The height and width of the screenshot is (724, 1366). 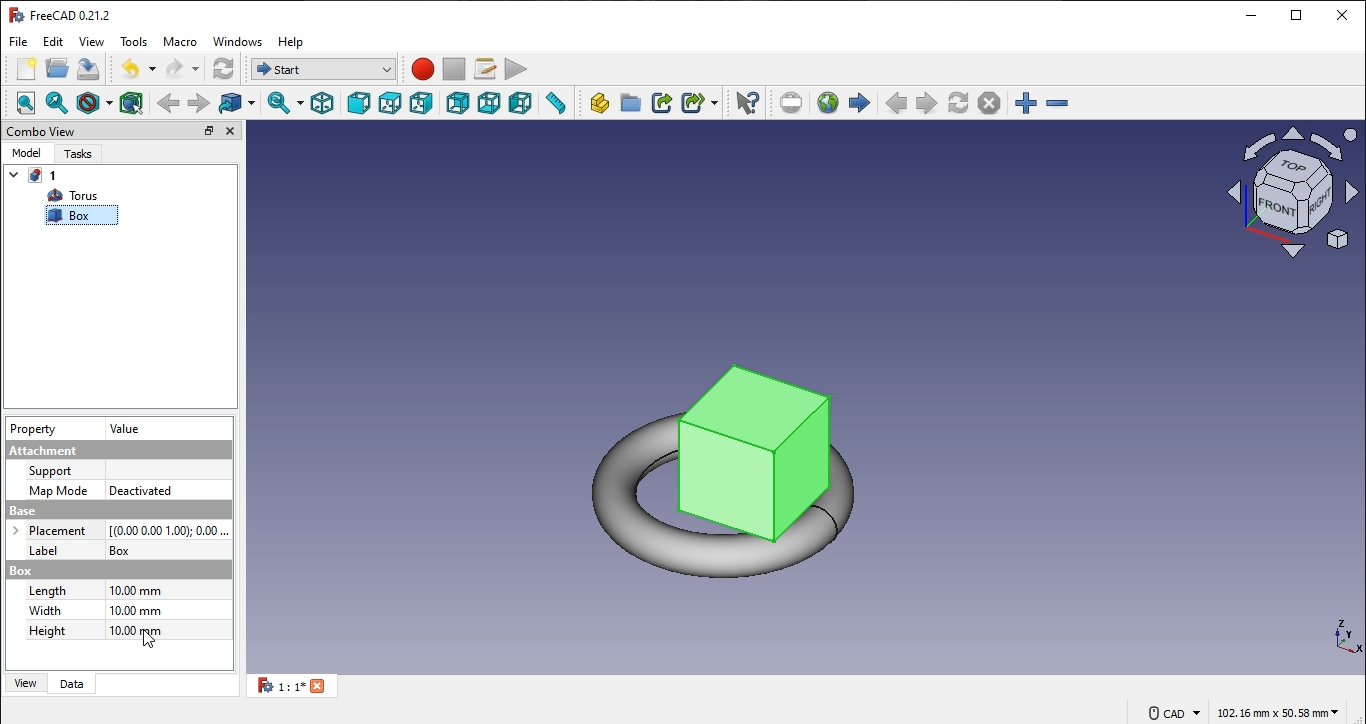 I want to click on create part, so click(x=598, y=104).